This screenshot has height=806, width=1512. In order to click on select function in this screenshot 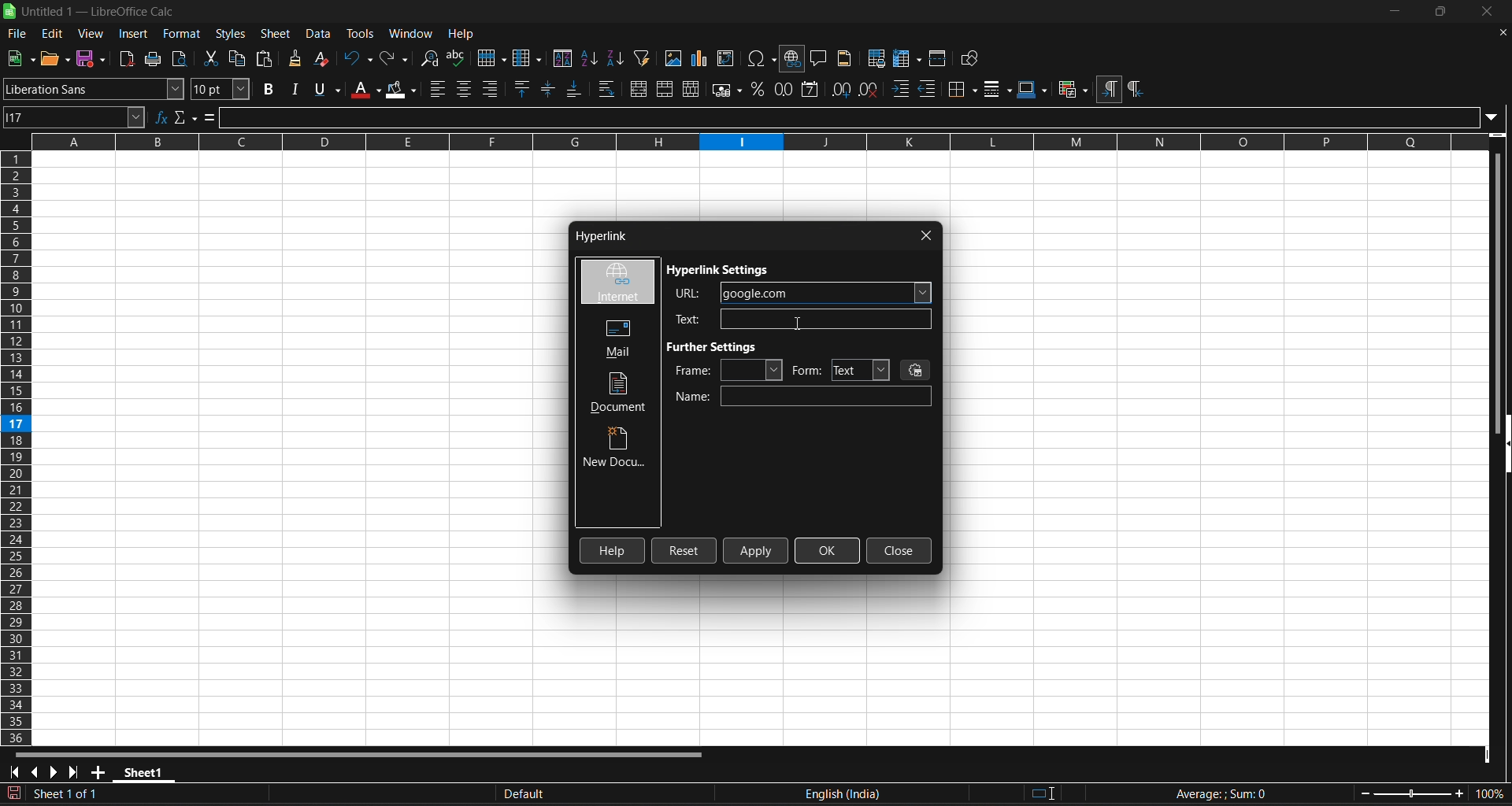, I will do `click(187, 117)`.